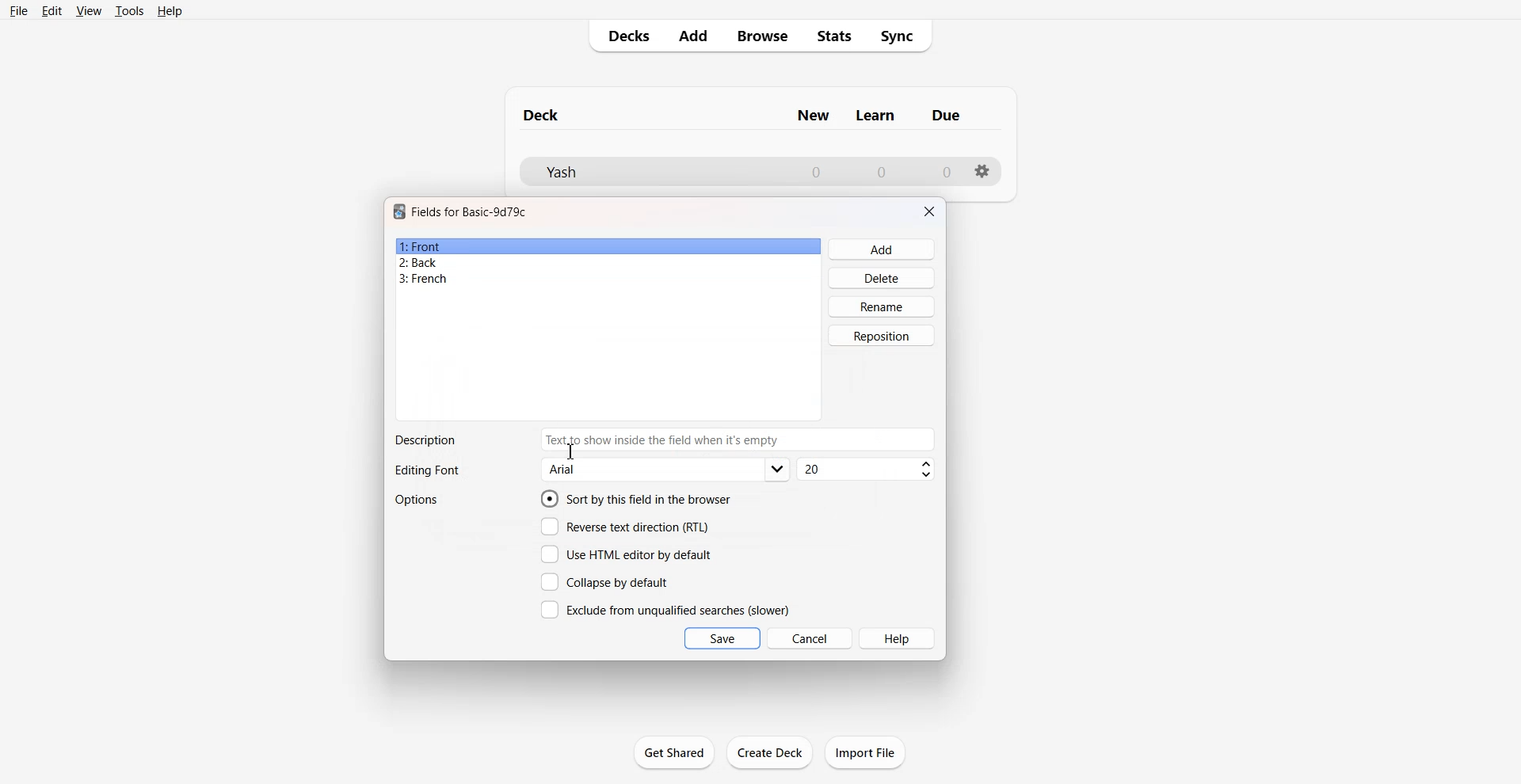 Image resolution: width=1521 pixels, height=784 pixels. Describe the element at coordinates (542, 115) in the screenshot. I see `Text 1` at that location.